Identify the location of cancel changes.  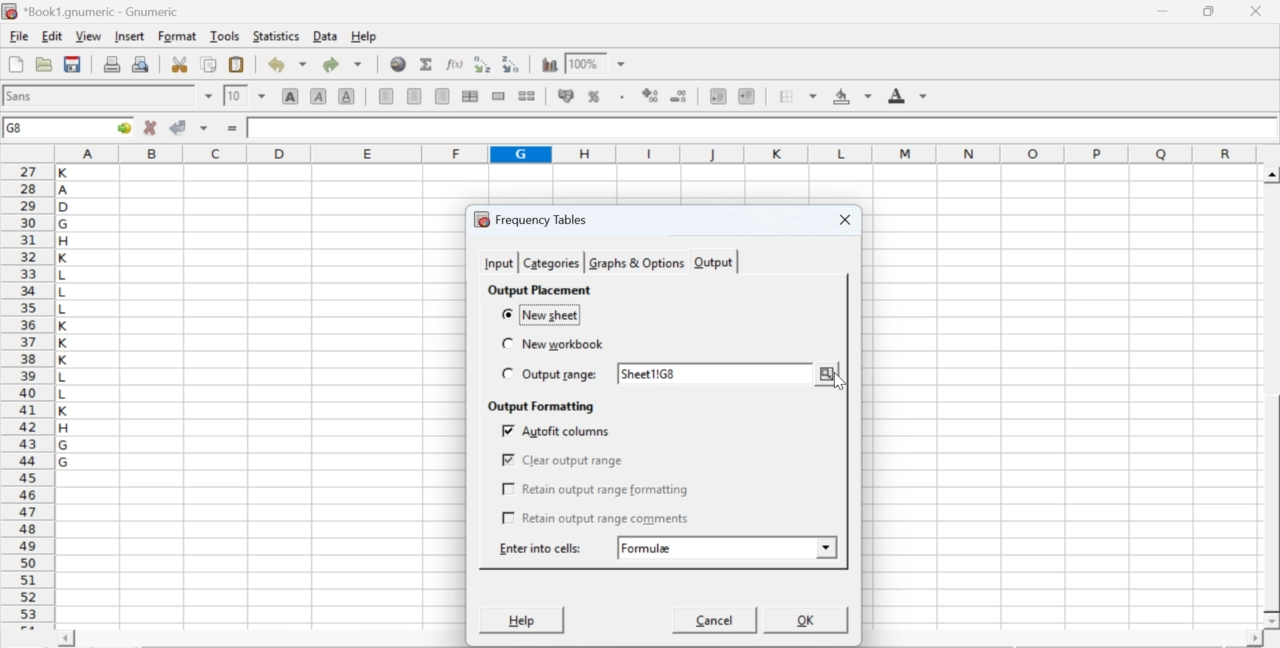
(151, 127).